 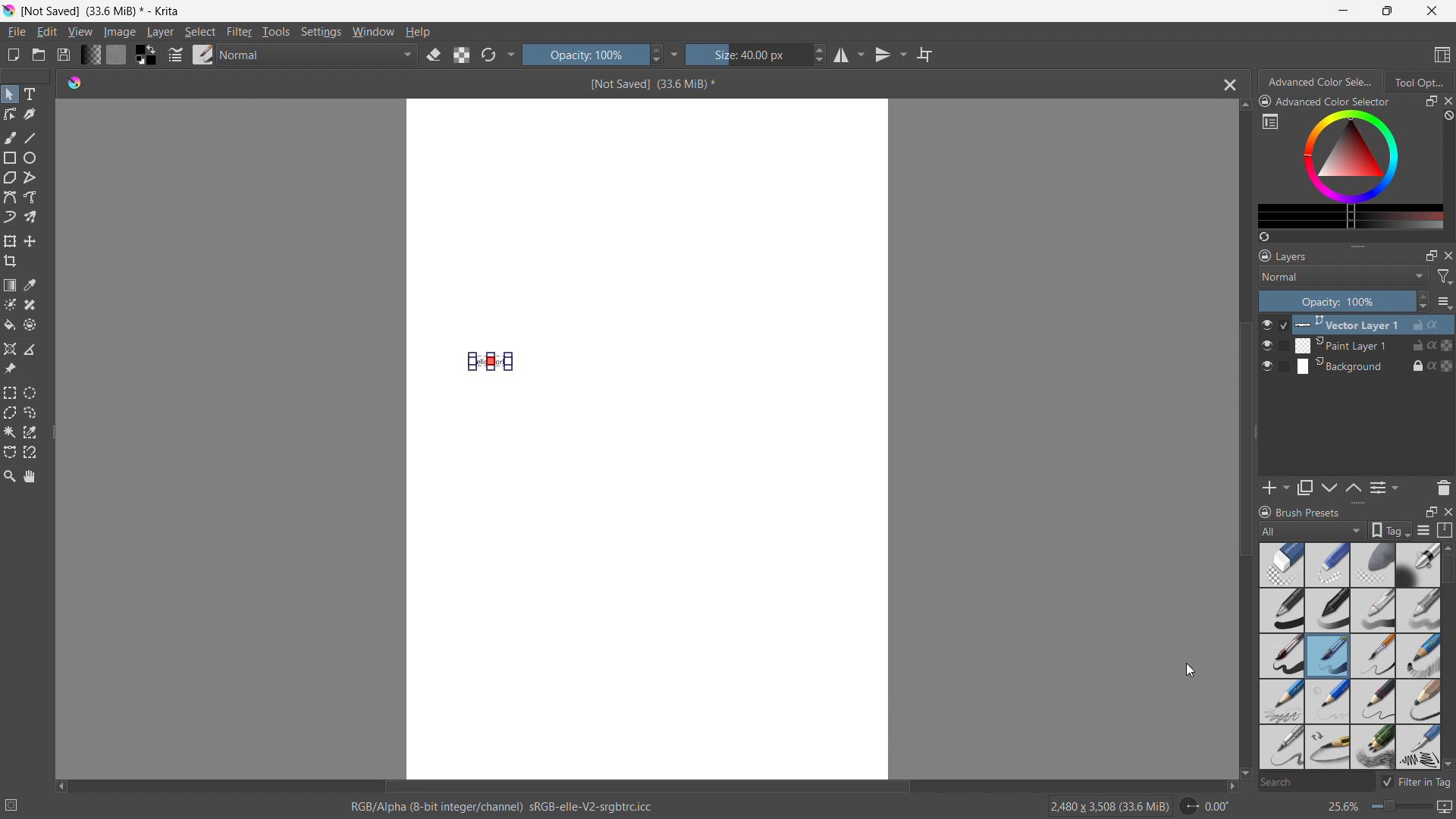 What do you see at coordinates (1344, 301) in the screenshot?
I see `opacity control` at bounding box center [1344, 301].